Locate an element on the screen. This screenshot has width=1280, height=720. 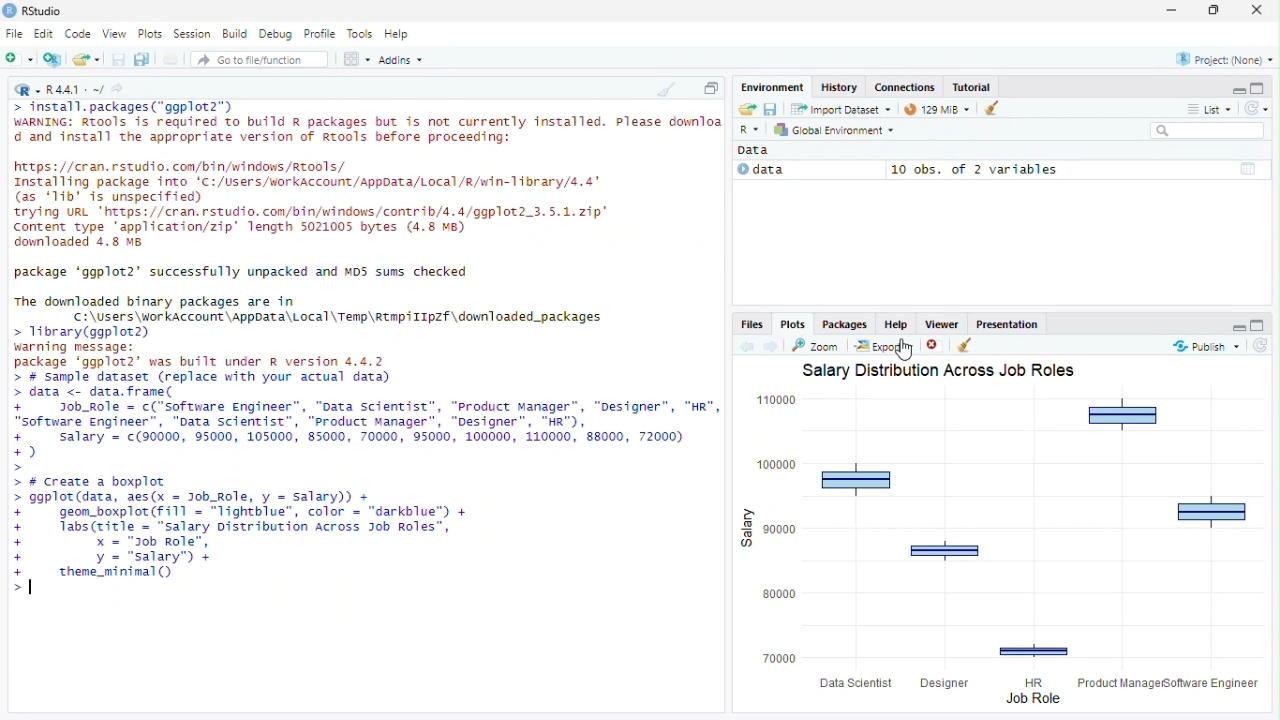
Logo is located at coordinates (10, 10).